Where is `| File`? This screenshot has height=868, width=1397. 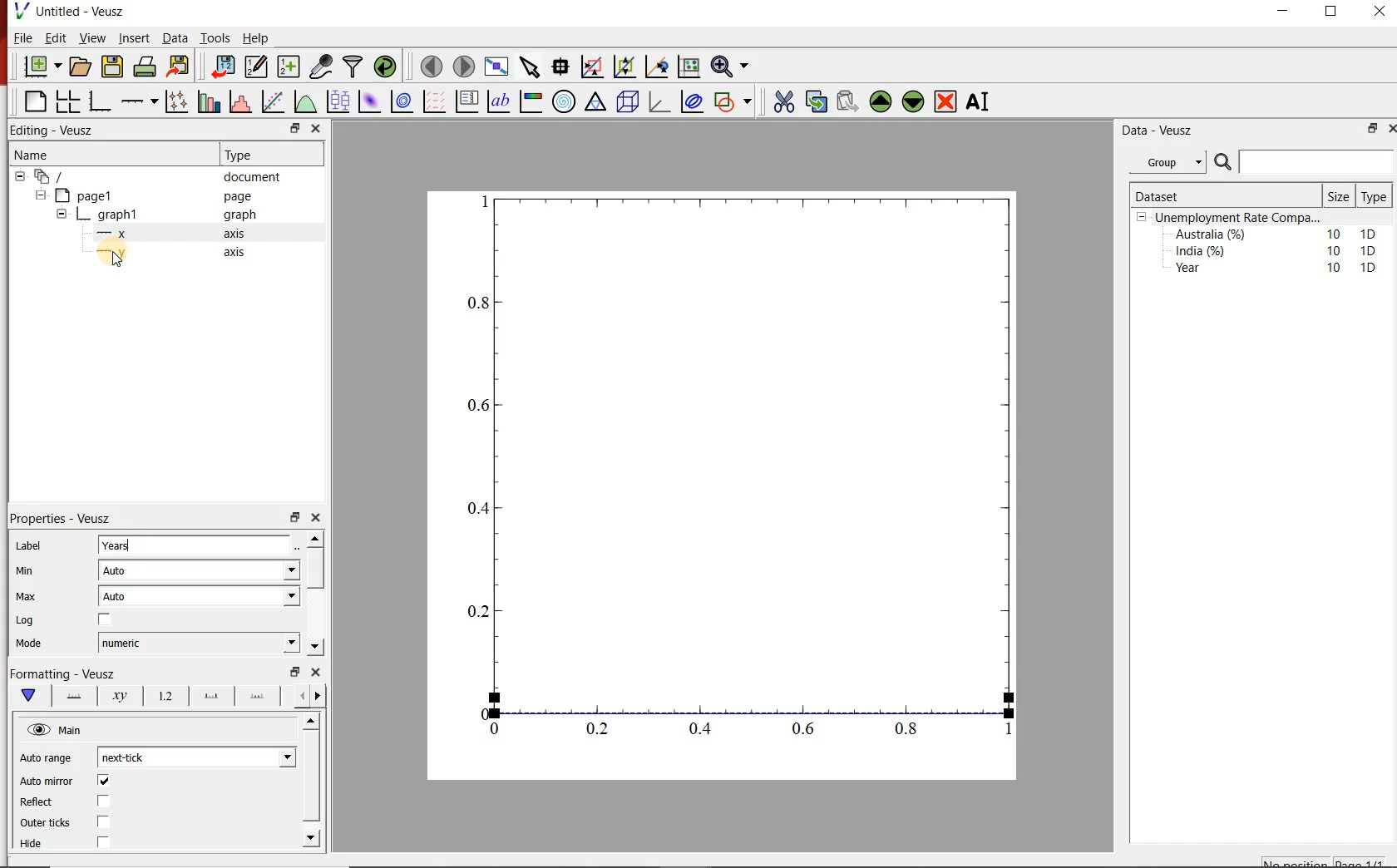
| File is located at coordinates (19, 37).